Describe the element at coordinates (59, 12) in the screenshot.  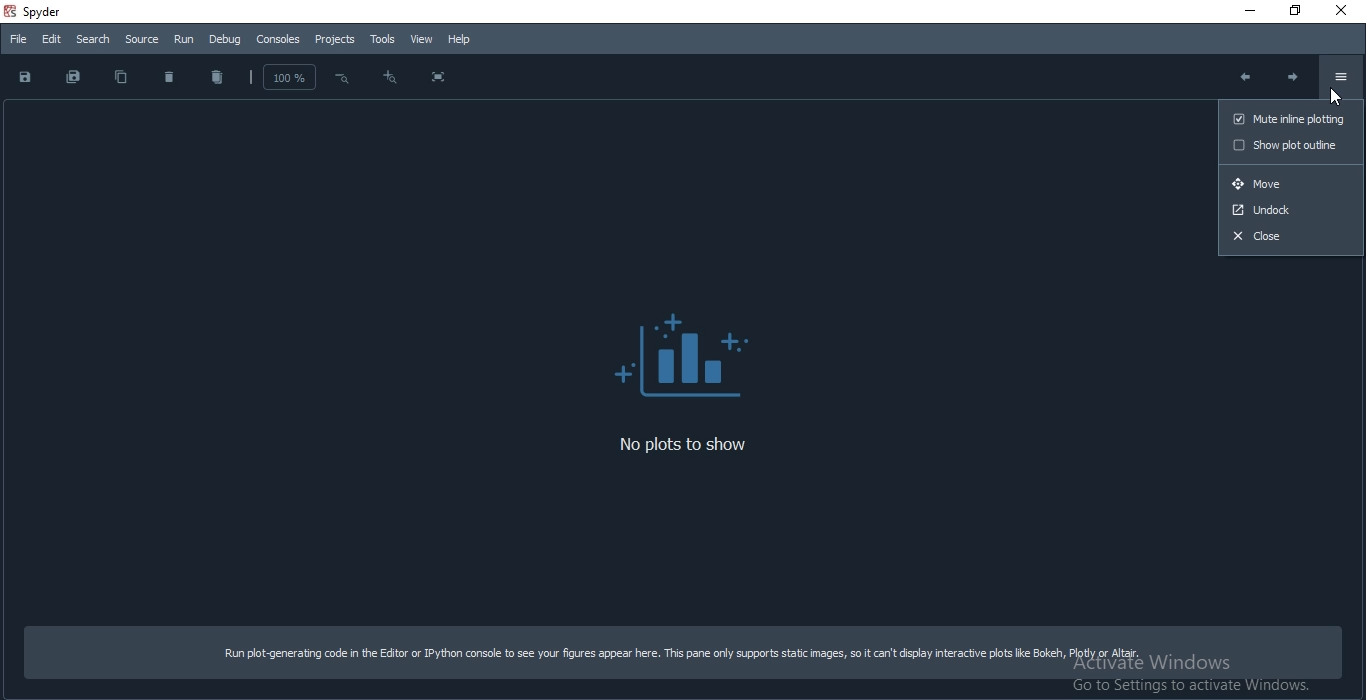
I see `spyder` at that location.